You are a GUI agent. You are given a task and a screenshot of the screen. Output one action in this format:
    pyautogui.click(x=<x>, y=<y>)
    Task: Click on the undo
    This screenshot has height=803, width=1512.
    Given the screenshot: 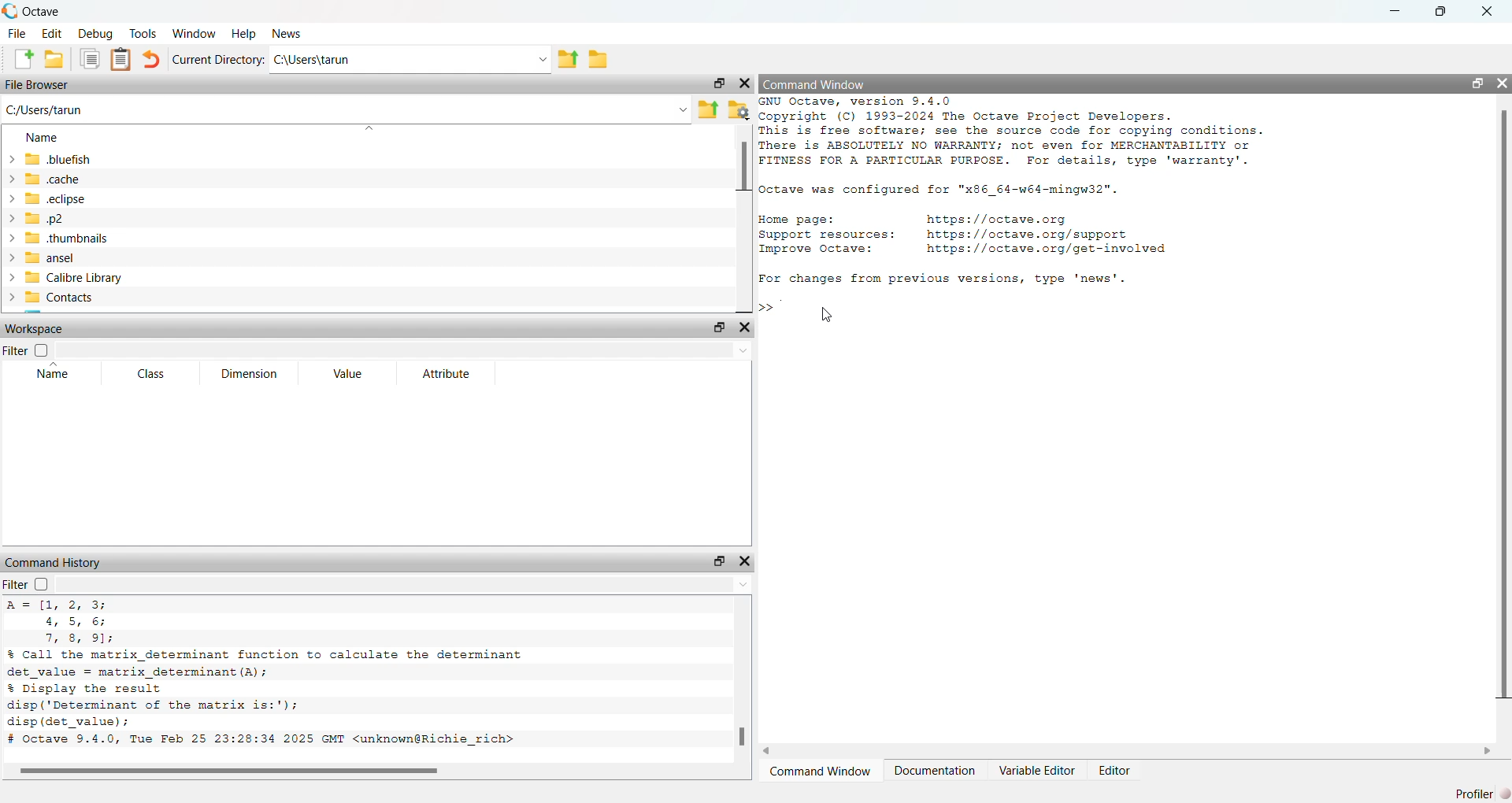 What is the action you would take?
    pyautogui.click(x=153, y=60)
    